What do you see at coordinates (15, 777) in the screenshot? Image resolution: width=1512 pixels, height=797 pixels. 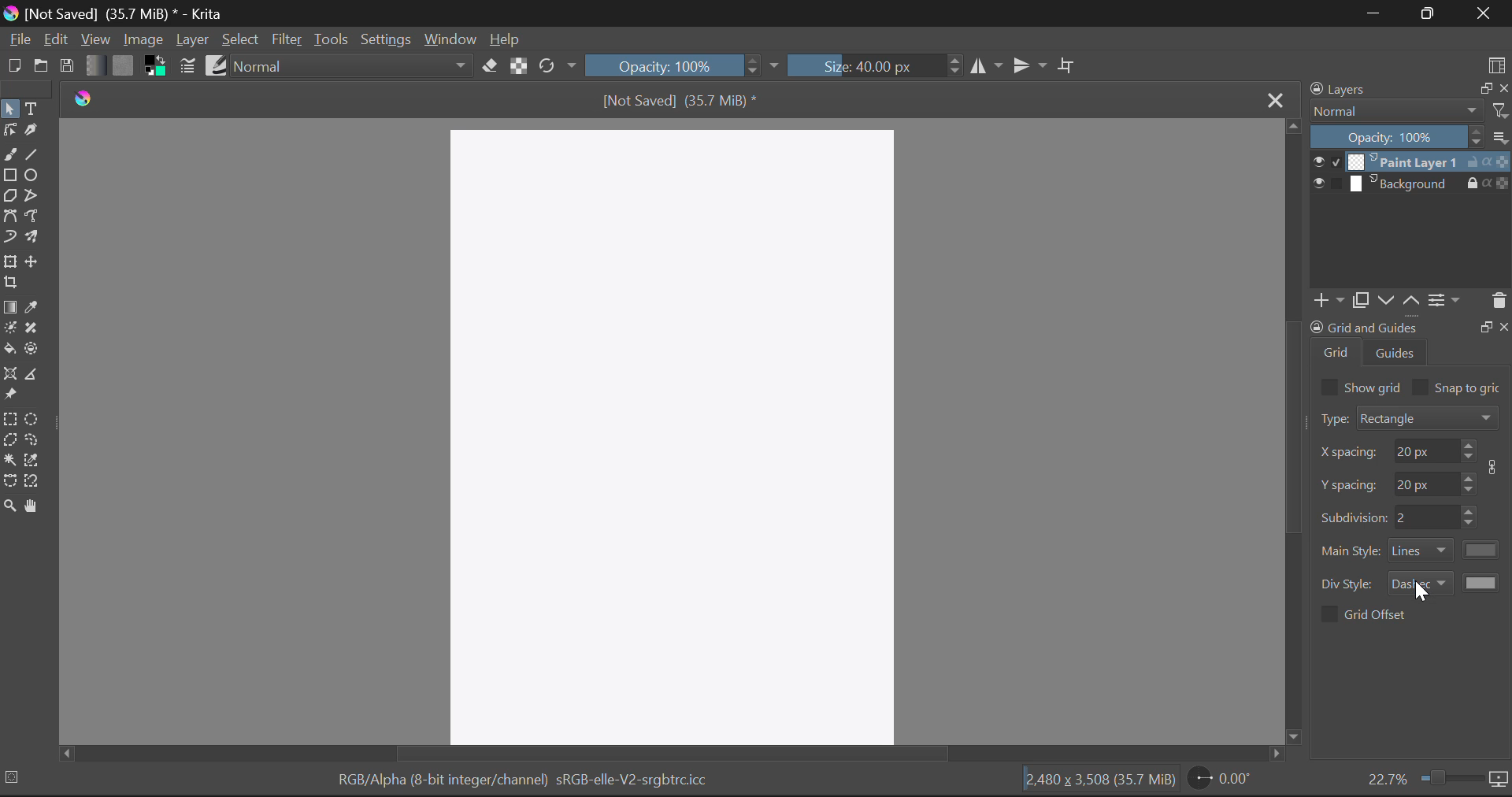 I see `selection` at bounding box center [15, 777].